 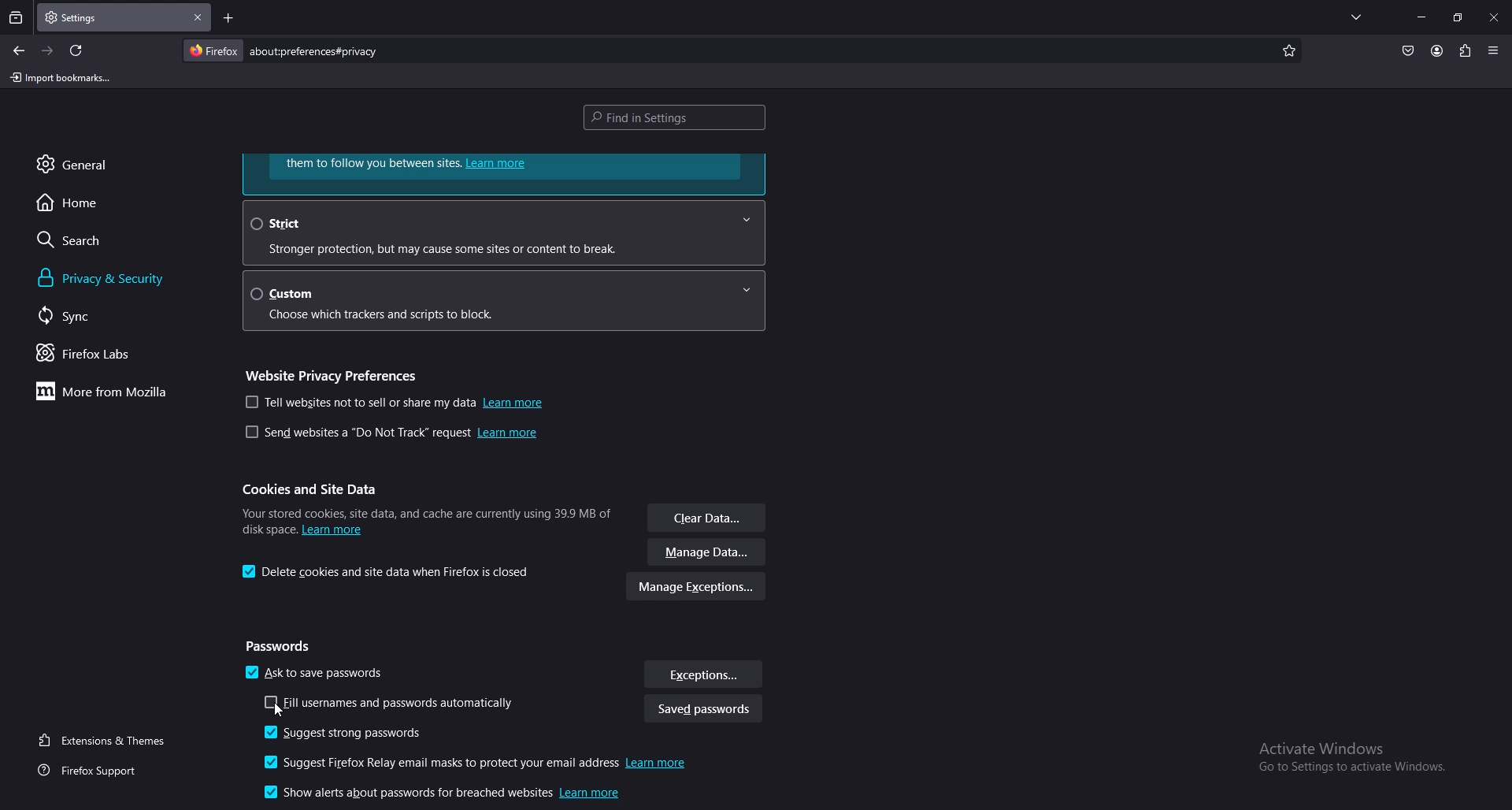 I want to click on passwords, so click(x=283, y=647).